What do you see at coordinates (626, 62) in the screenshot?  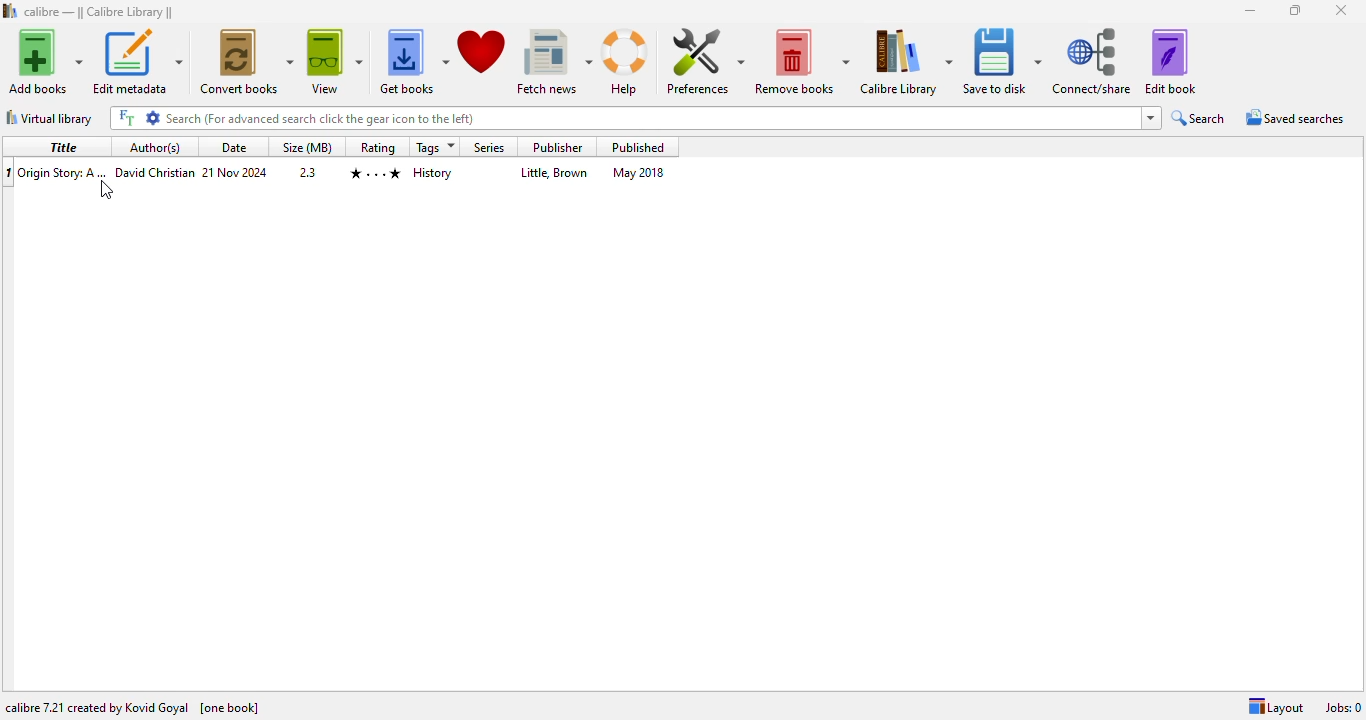 I see `help` at bounding box center [626, 62].